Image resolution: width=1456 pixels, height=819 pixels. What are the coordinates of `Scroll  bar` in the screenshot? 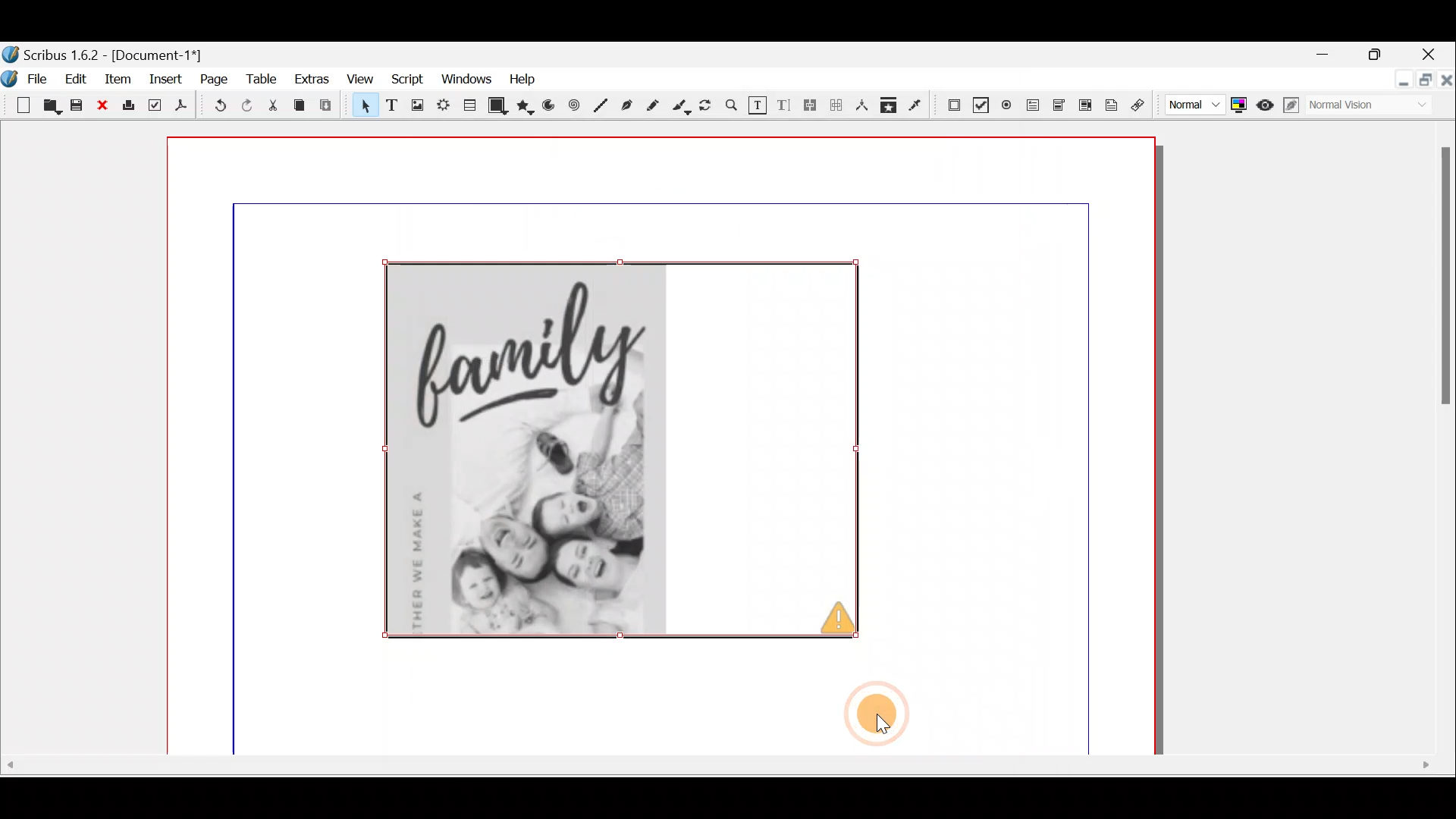 It's located at (726, 777).